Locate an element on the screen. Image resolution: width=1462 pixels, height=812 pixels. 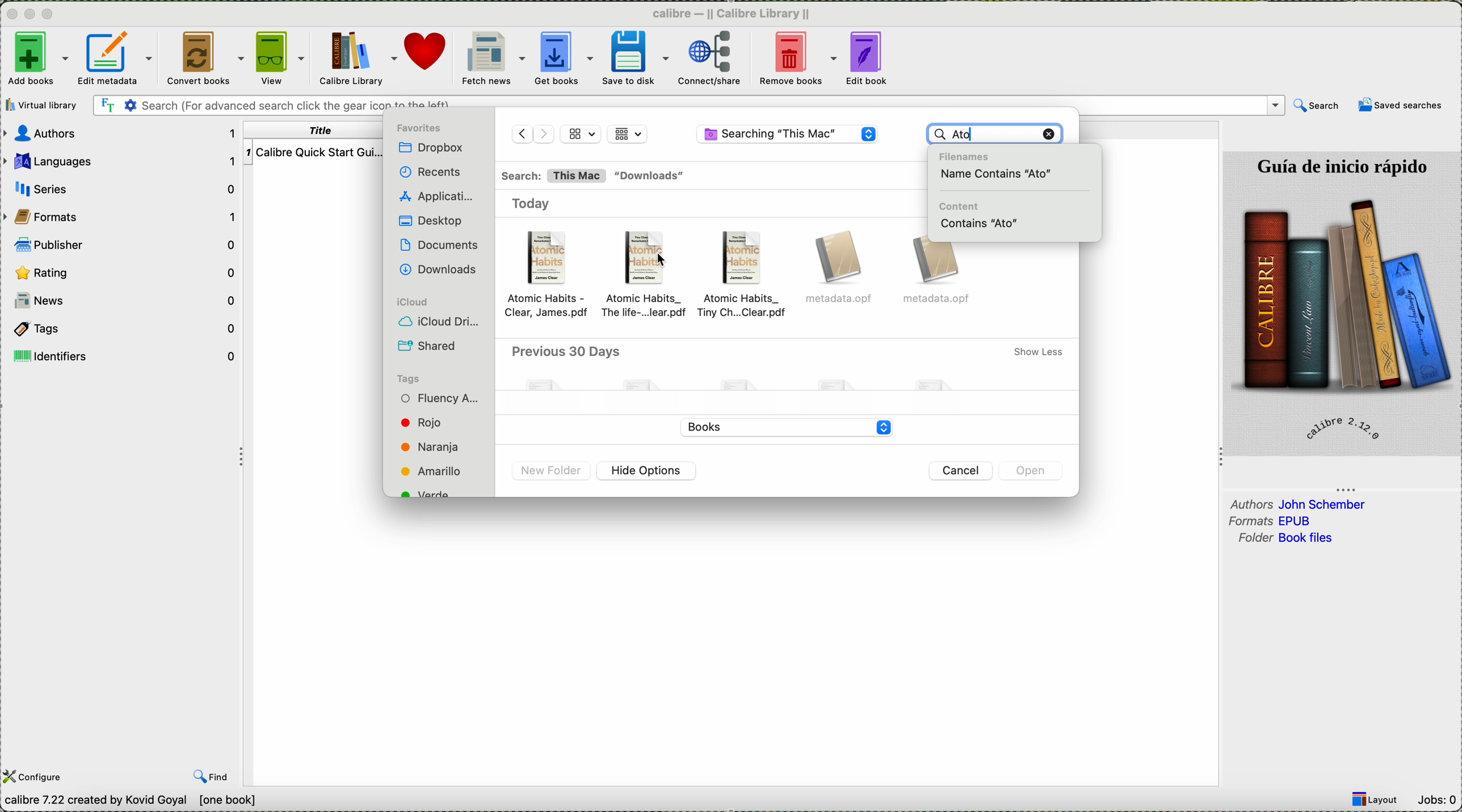
maximize program is located at coordinates (50, 15).